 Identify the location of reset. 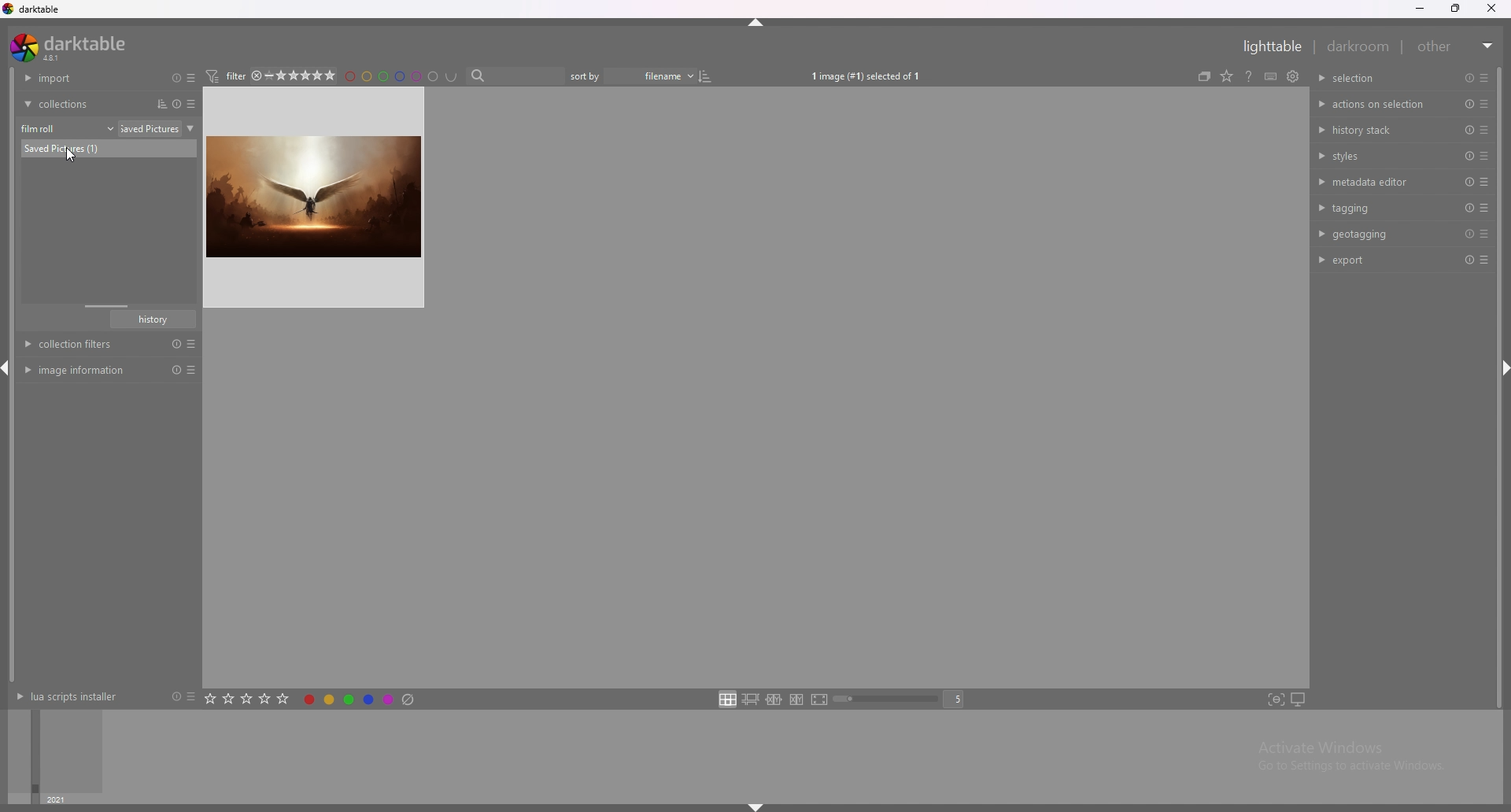
(1470, 105).